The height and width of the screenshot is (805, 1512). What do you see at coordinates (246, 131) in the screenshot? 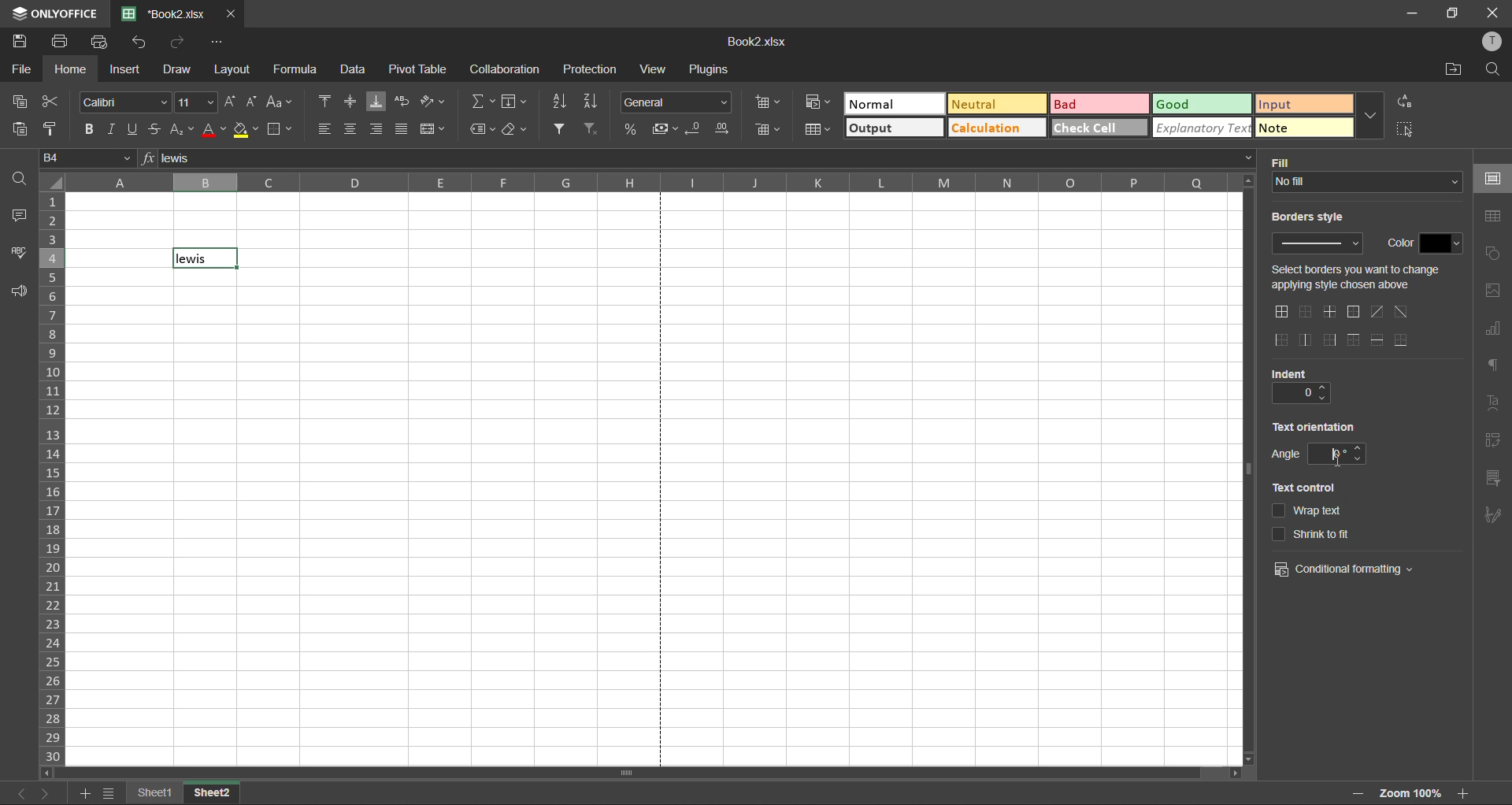
I see `fill color` at bounding box center [246, 131].